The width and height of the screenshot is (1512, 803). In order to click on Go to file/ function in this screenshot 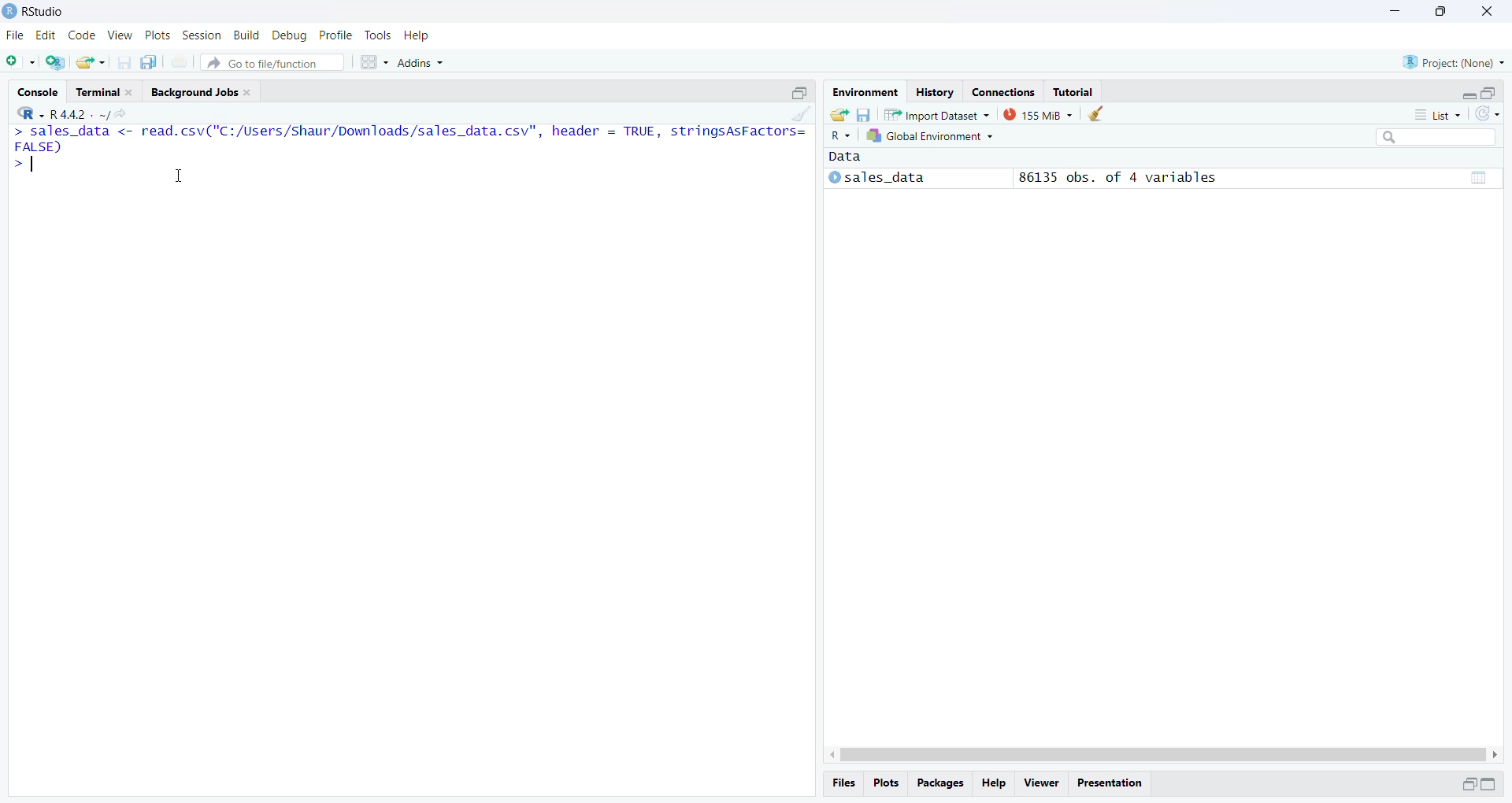, I will do `click(265, 62)`.